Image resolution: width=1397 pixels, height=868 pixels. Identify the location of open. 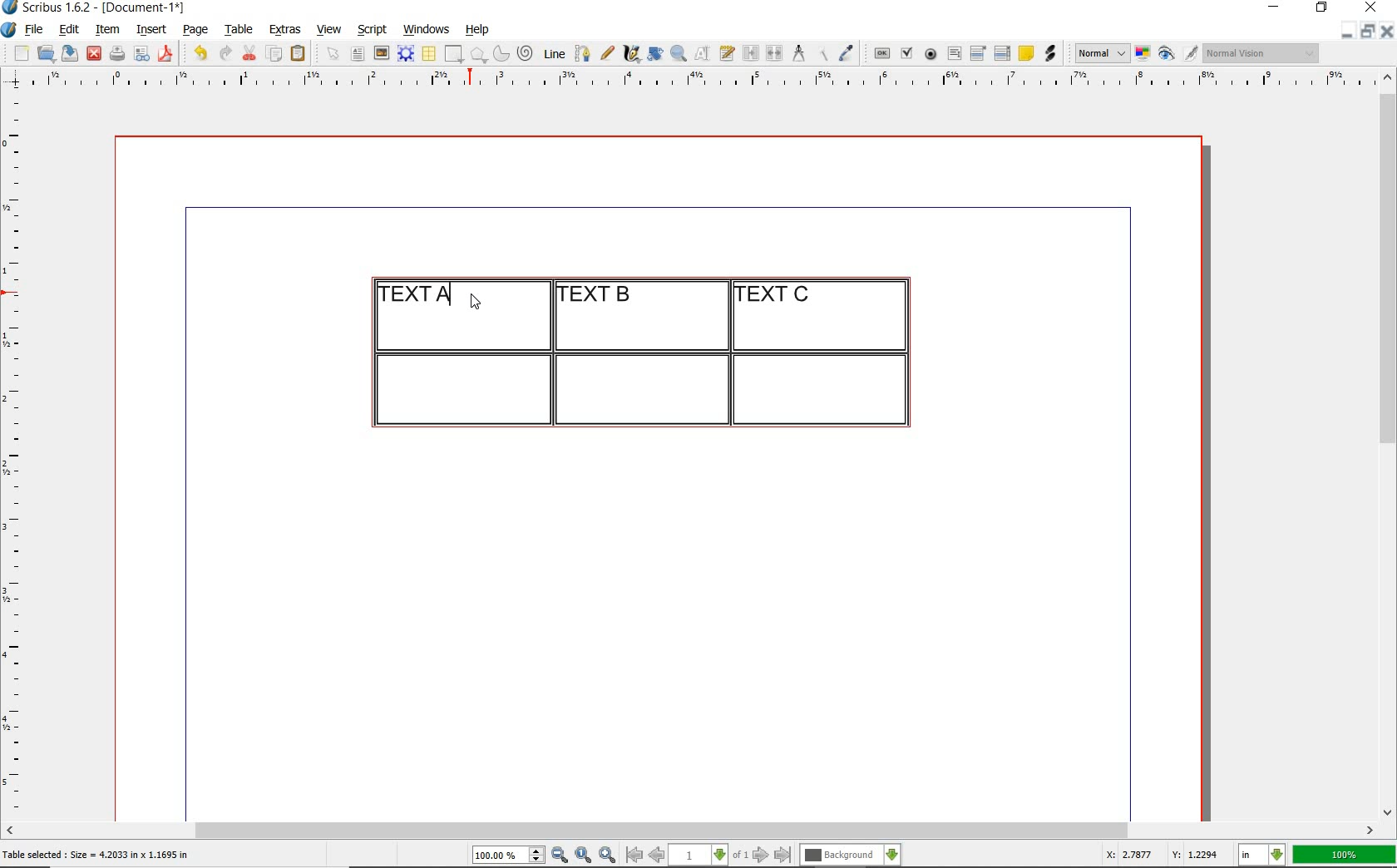
(45, 52).